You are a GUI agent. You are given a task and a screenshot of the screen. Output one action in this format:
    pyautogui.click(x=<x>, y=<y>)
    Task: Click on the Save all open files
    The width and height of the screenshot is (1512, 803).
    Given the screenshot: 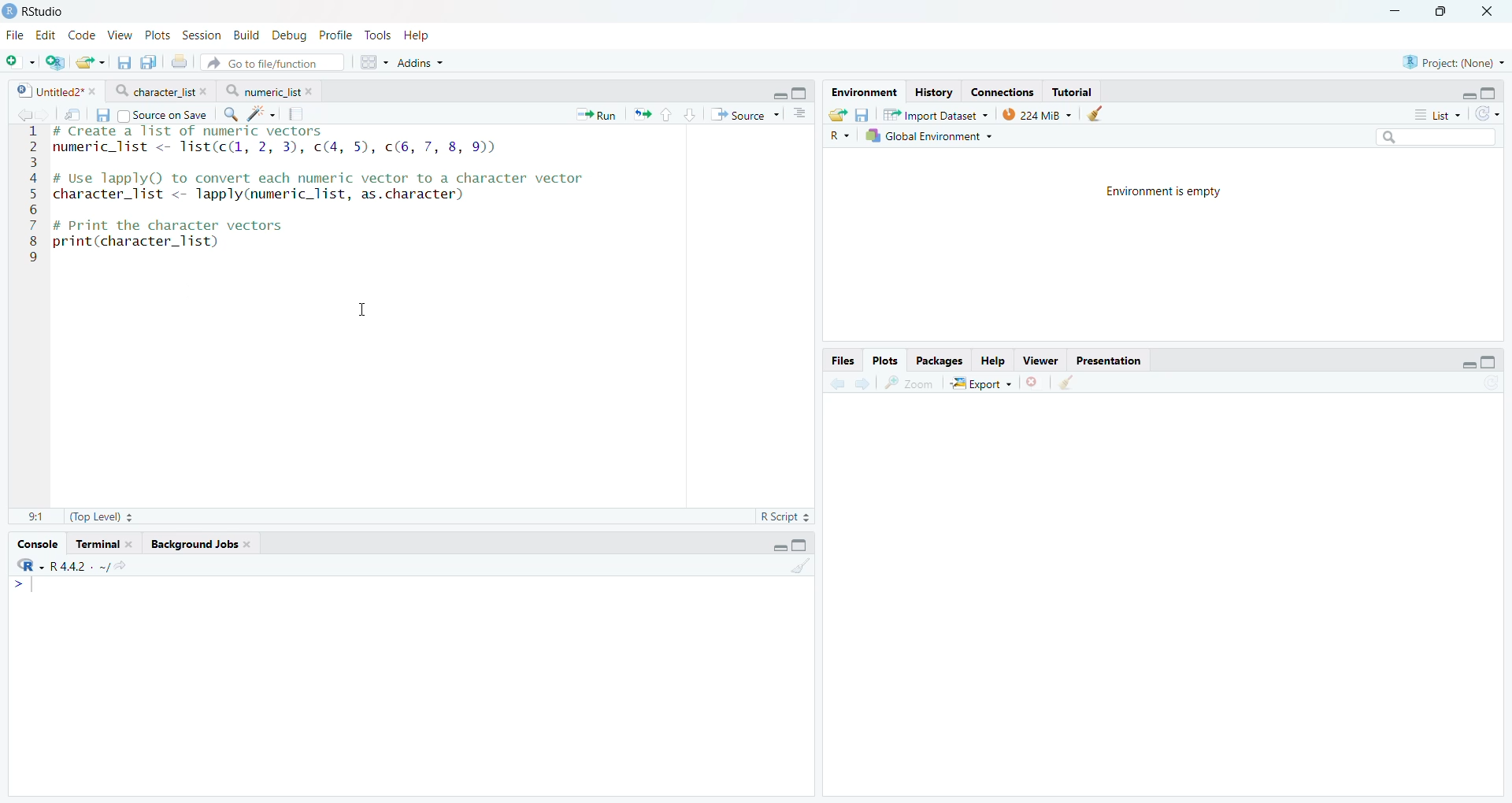 What is the action you would take?
    pyautogui.click(x=149, y=61)
    